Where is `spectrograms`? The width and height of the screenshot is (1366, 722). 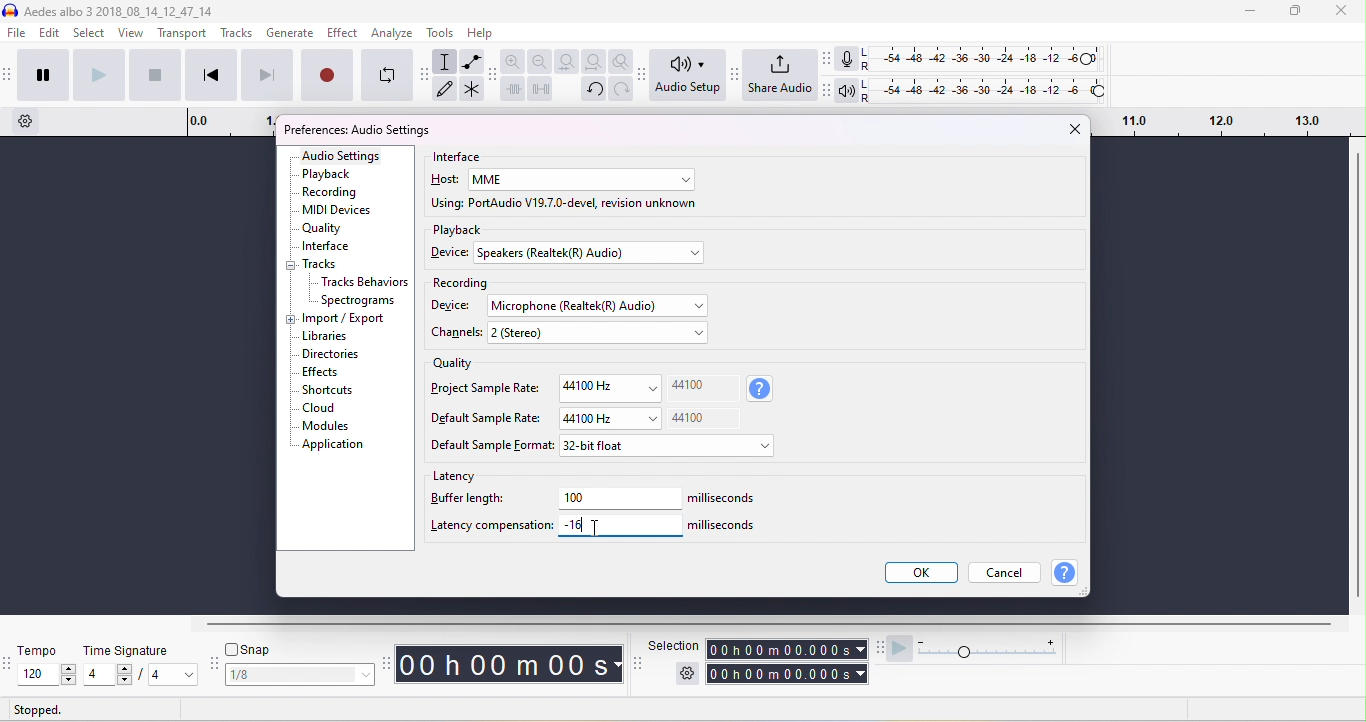 spectrograms is located at coordinates (359, 301).